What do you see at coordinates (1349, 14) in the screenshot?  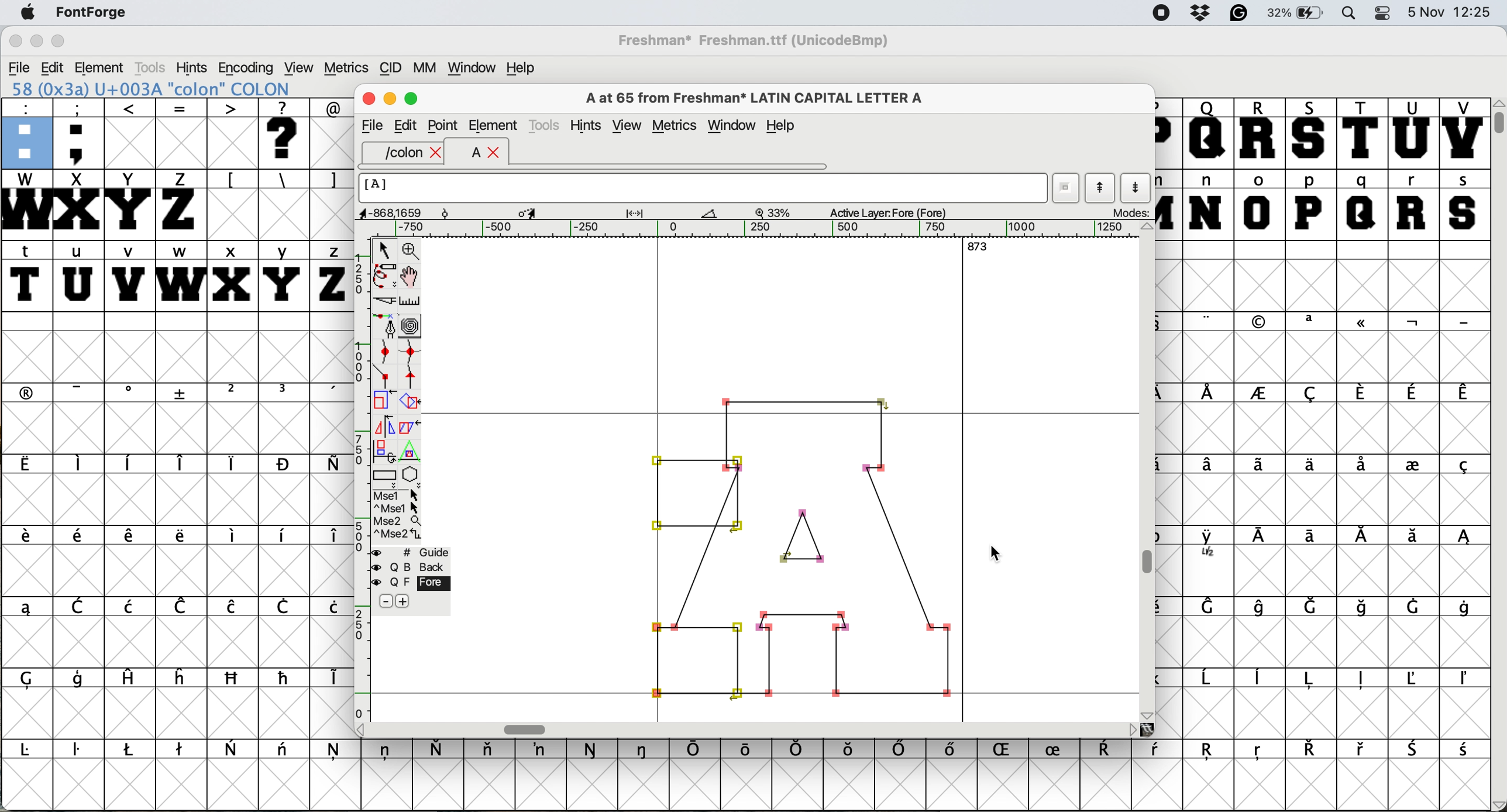 I see `spotlight search` at bounding box center [1349, 14].